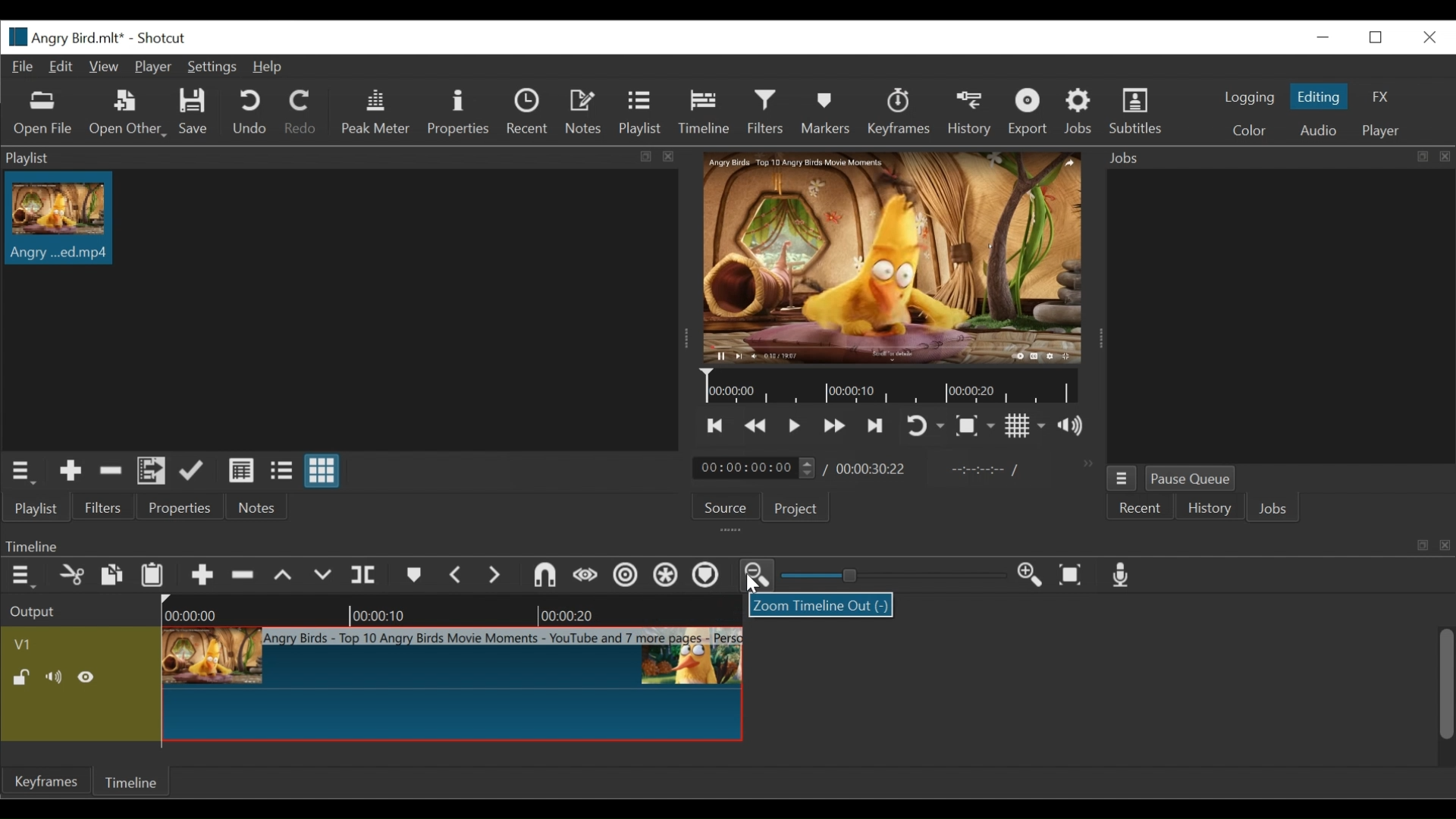  I want to click on Clip in timeline, so click(454, 685).